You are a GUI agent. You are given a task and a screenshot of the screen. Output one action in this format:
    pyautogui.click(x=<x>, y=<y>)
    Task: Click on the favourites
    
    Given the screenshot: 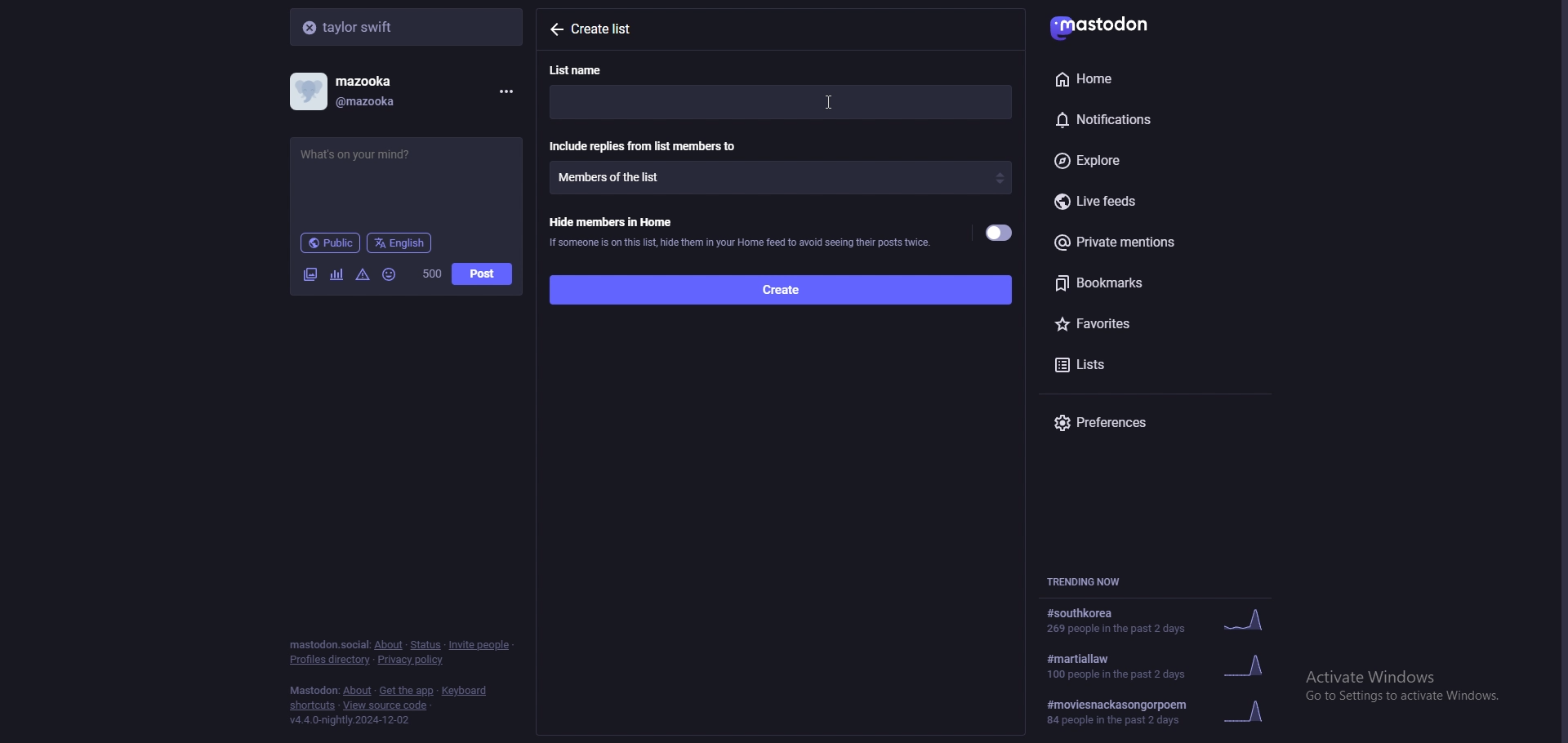 What is the action you would take?
    pyautogui.click(x=1141, y=321)
    